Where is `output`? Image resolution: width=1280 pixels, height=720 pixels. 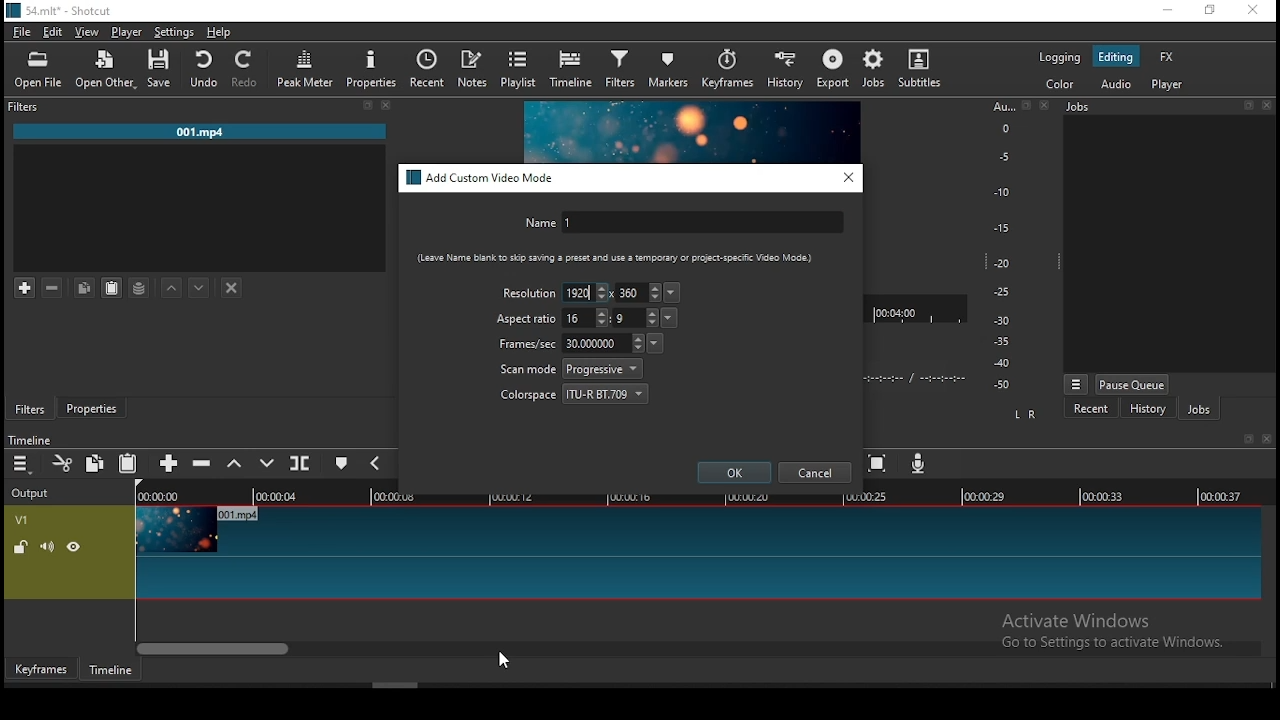 output is located at coordinates (33, 494).